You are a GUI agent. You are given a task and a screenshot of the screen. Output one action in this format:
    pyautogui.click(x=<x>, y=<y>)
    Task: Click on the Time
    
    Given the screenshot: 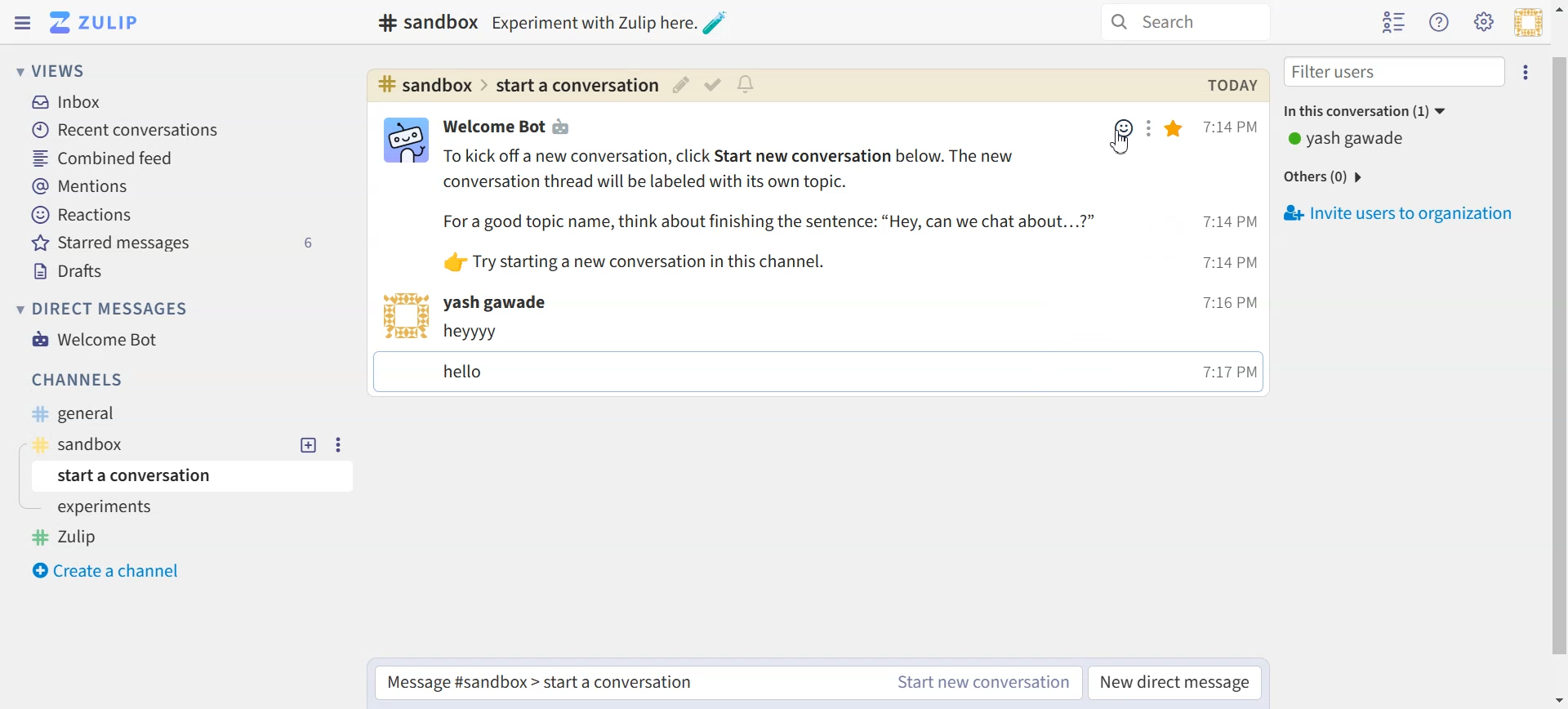 What is the action you would take?
    pyautogui.click(x=1230, y=250)
    